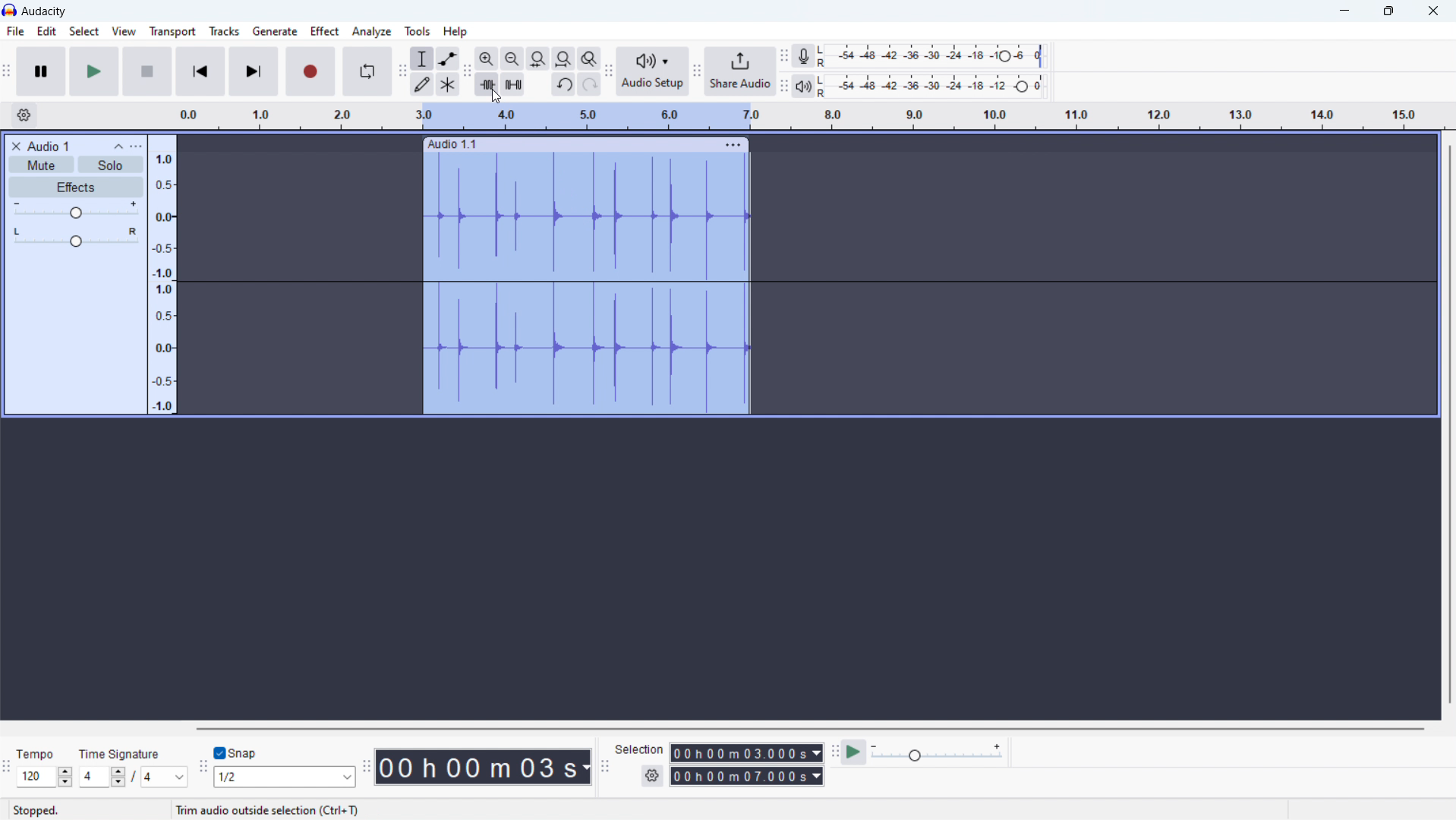 Image resolution: width=1456 pixels, height=820 pixels. What do you see at coordinates (654, 71) in the screenshot?
I see `audio setup` at bounding box center [654, 71].